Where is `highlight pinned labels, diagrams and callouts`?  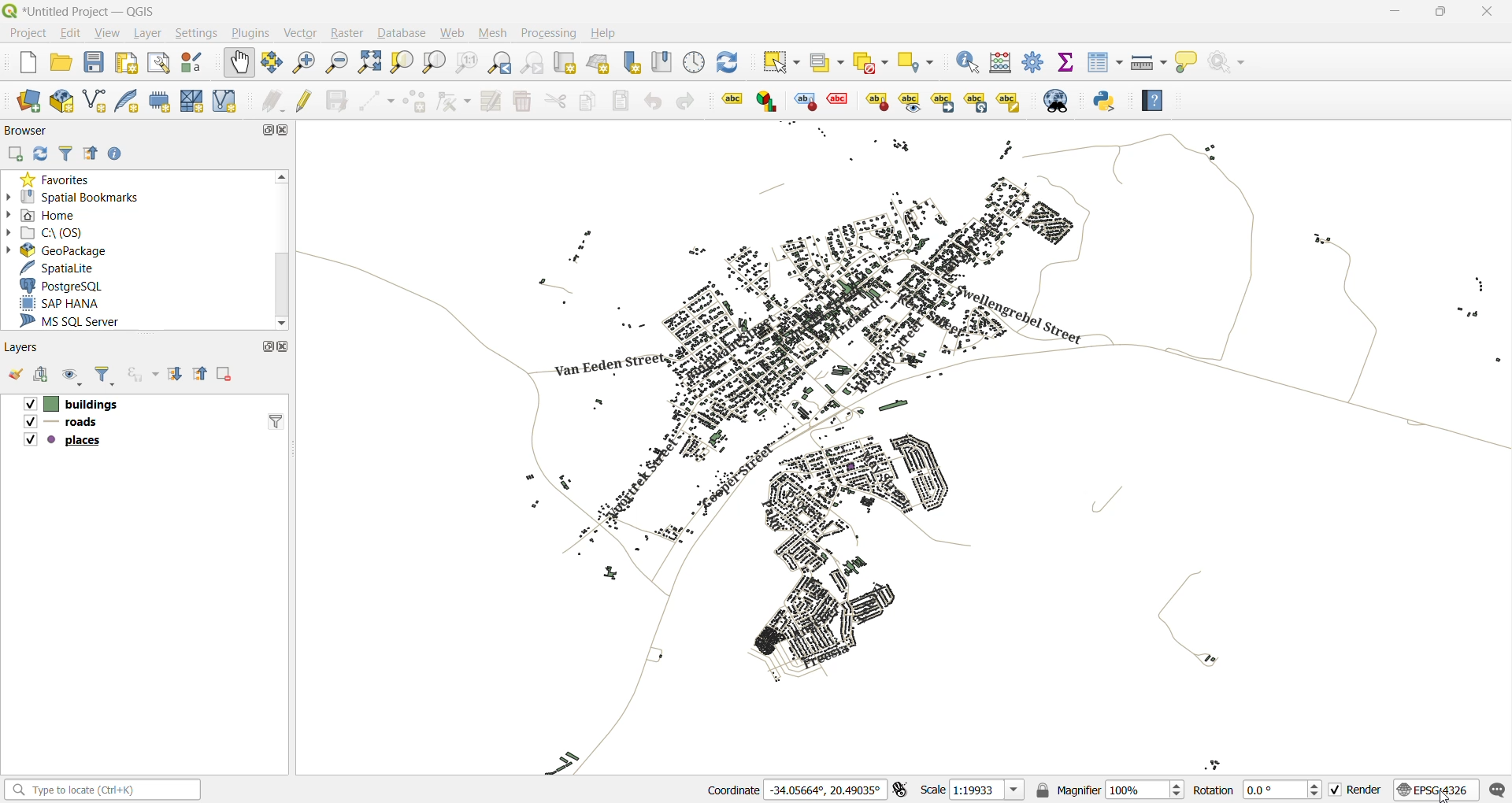
highlight pinned labels, diagrams and callouts is located at coordinates (803, 102).